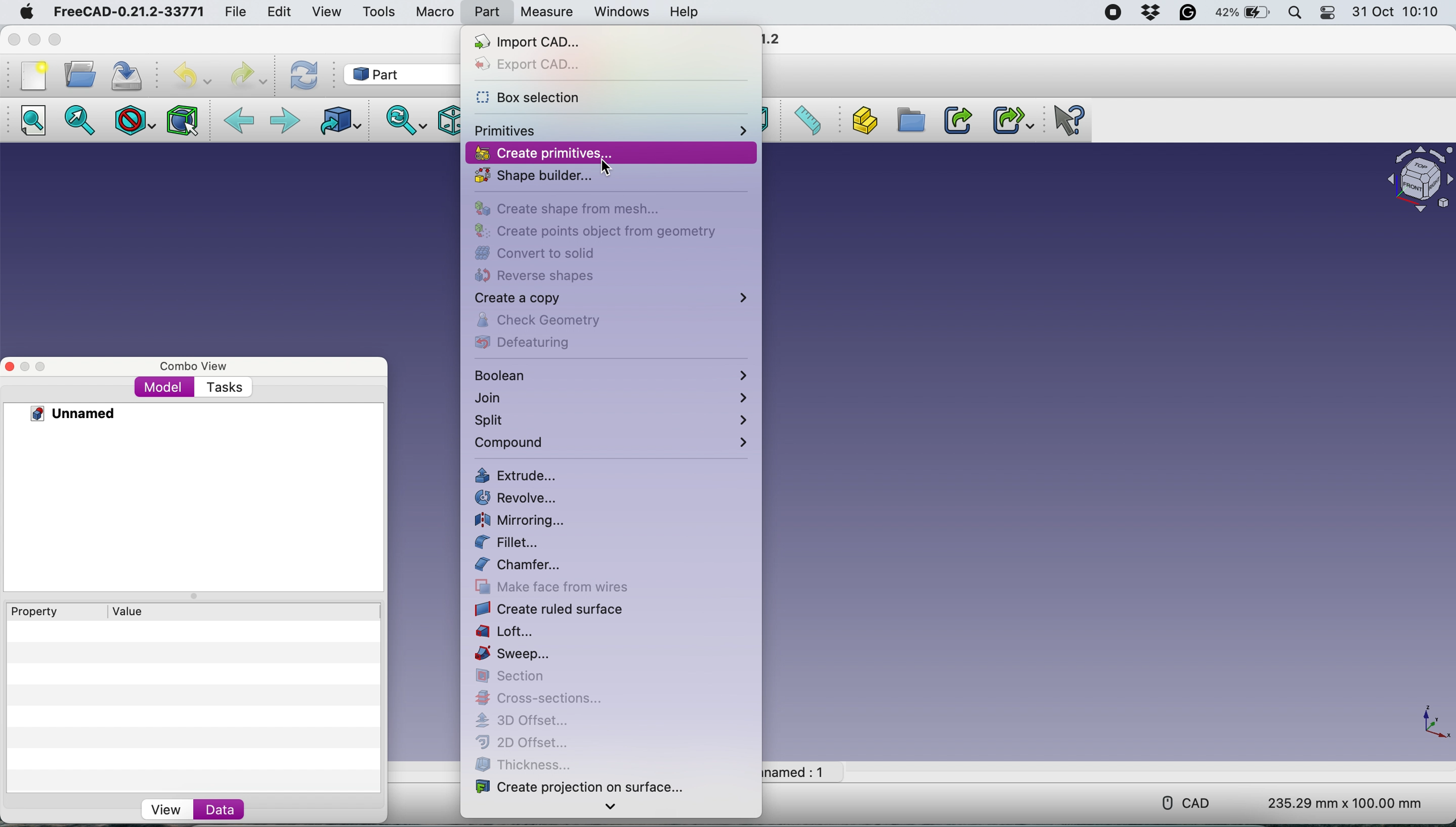 This screenshot has width=1456, height=827. Describe the element at coordinates (529, 253) in the screenshot. I see `convert to solid` at that location.